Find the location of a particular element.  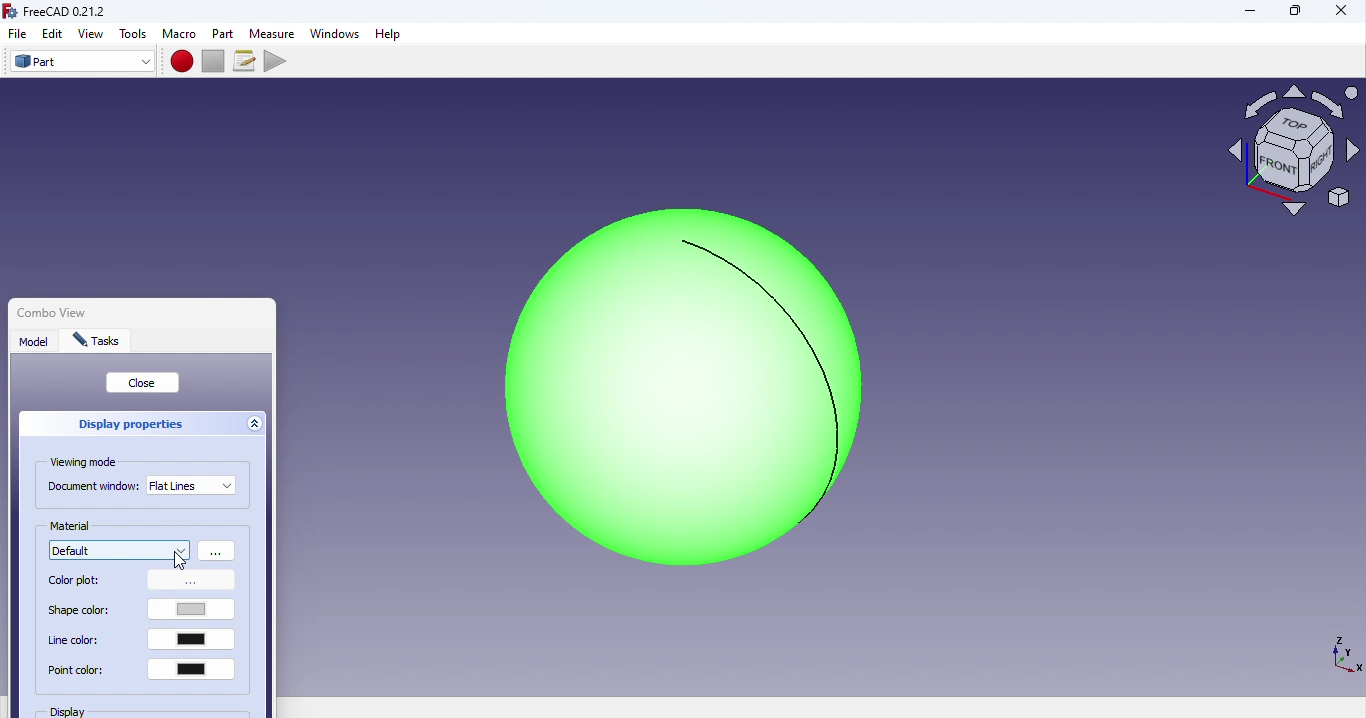

Materials is located at coordinates (119, 551).